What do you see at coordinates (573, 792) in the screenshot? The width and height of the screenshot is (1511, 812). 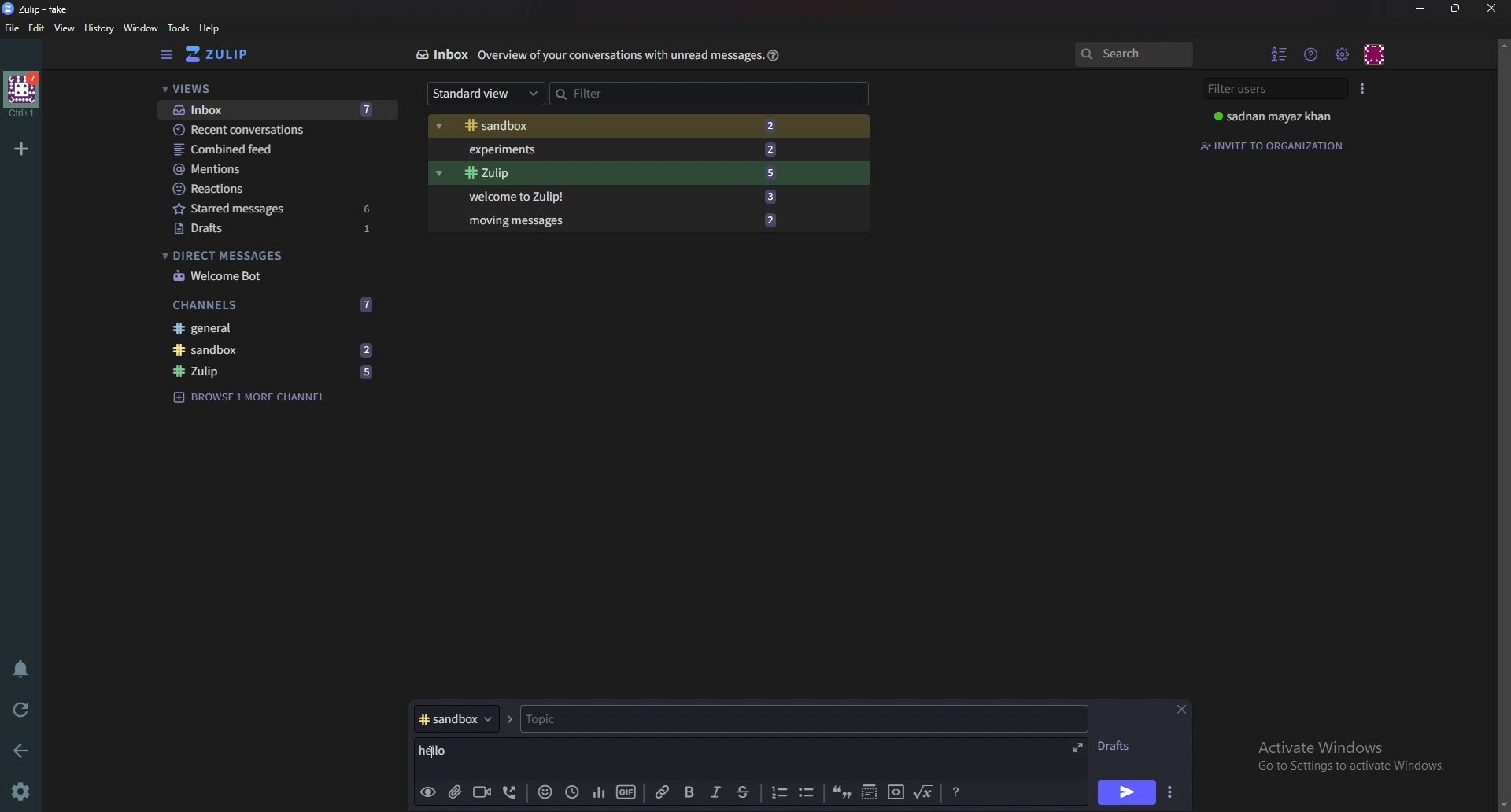 I see `Global time` at bounding box center [573, 792].